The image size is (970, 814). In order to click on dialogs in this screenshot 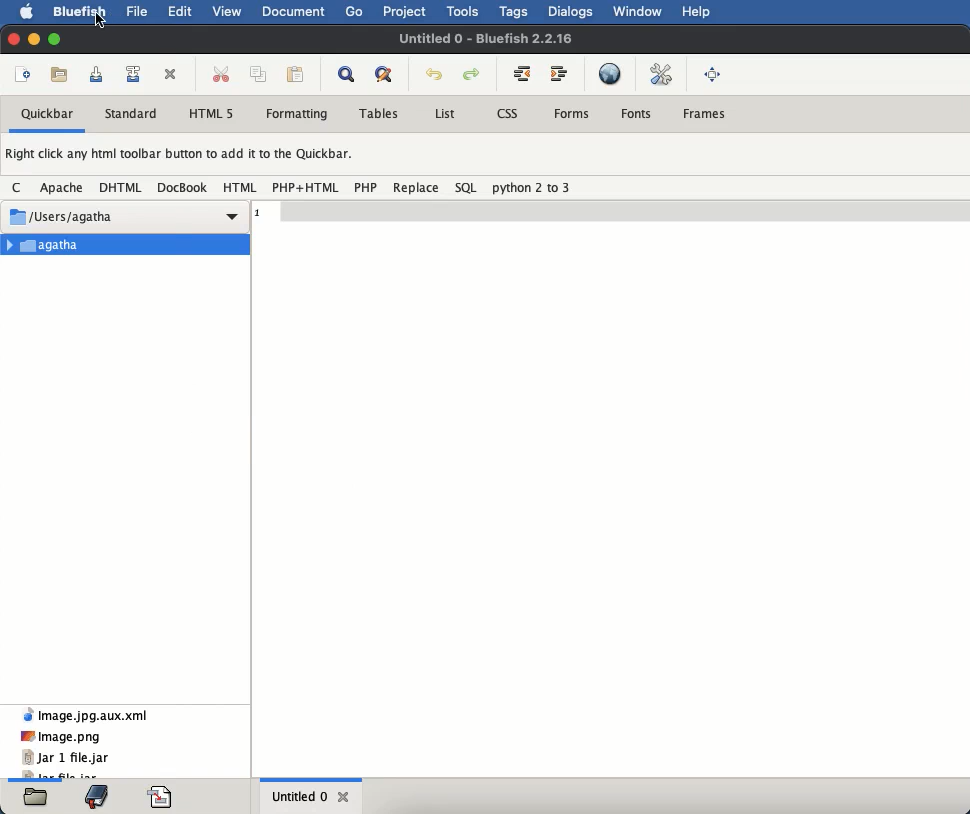, I will do `click(572, 12)`.